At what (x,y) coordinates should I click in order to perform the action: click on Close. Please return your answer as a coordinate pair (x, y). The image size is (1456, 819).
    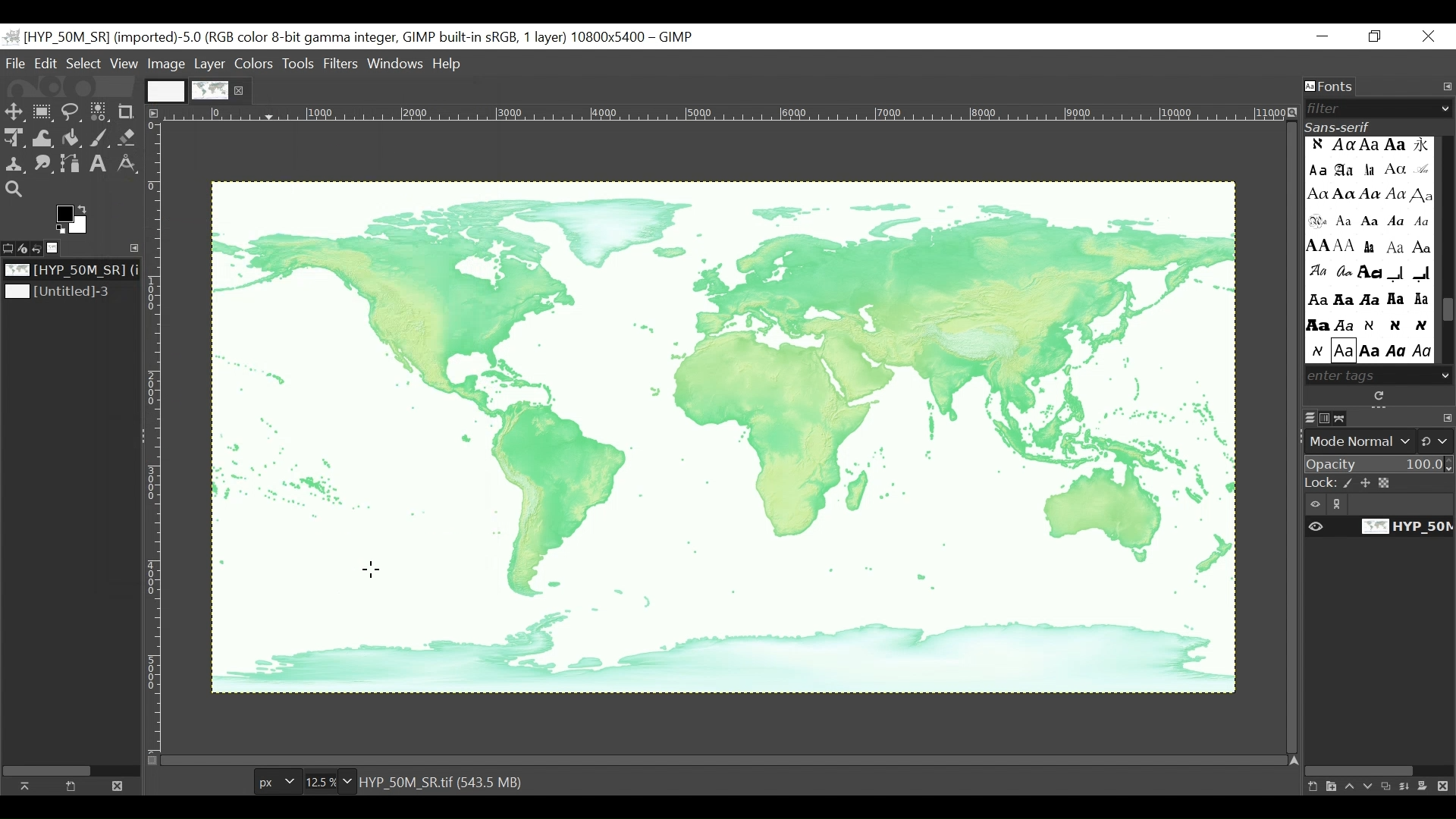
    Looking at the image, I should click on (115, 785).